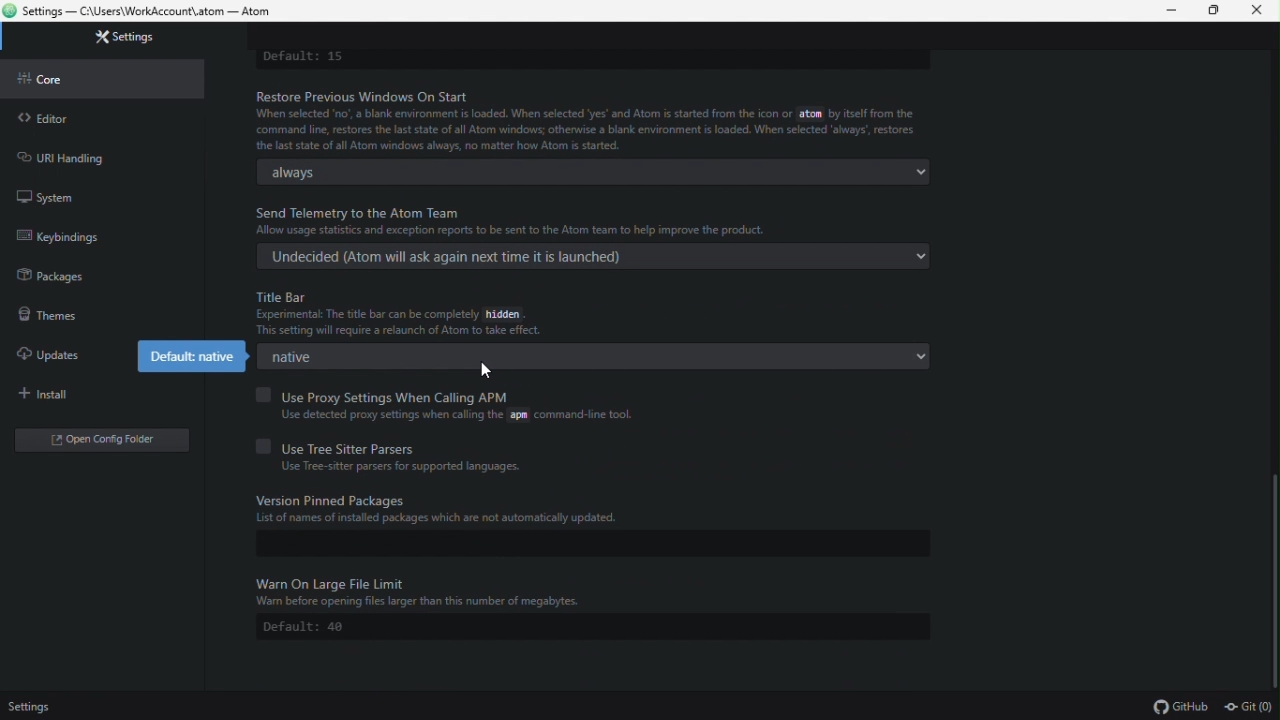 This screenshot has height=720, width=1280. I want to click on core, so click(104, 76).